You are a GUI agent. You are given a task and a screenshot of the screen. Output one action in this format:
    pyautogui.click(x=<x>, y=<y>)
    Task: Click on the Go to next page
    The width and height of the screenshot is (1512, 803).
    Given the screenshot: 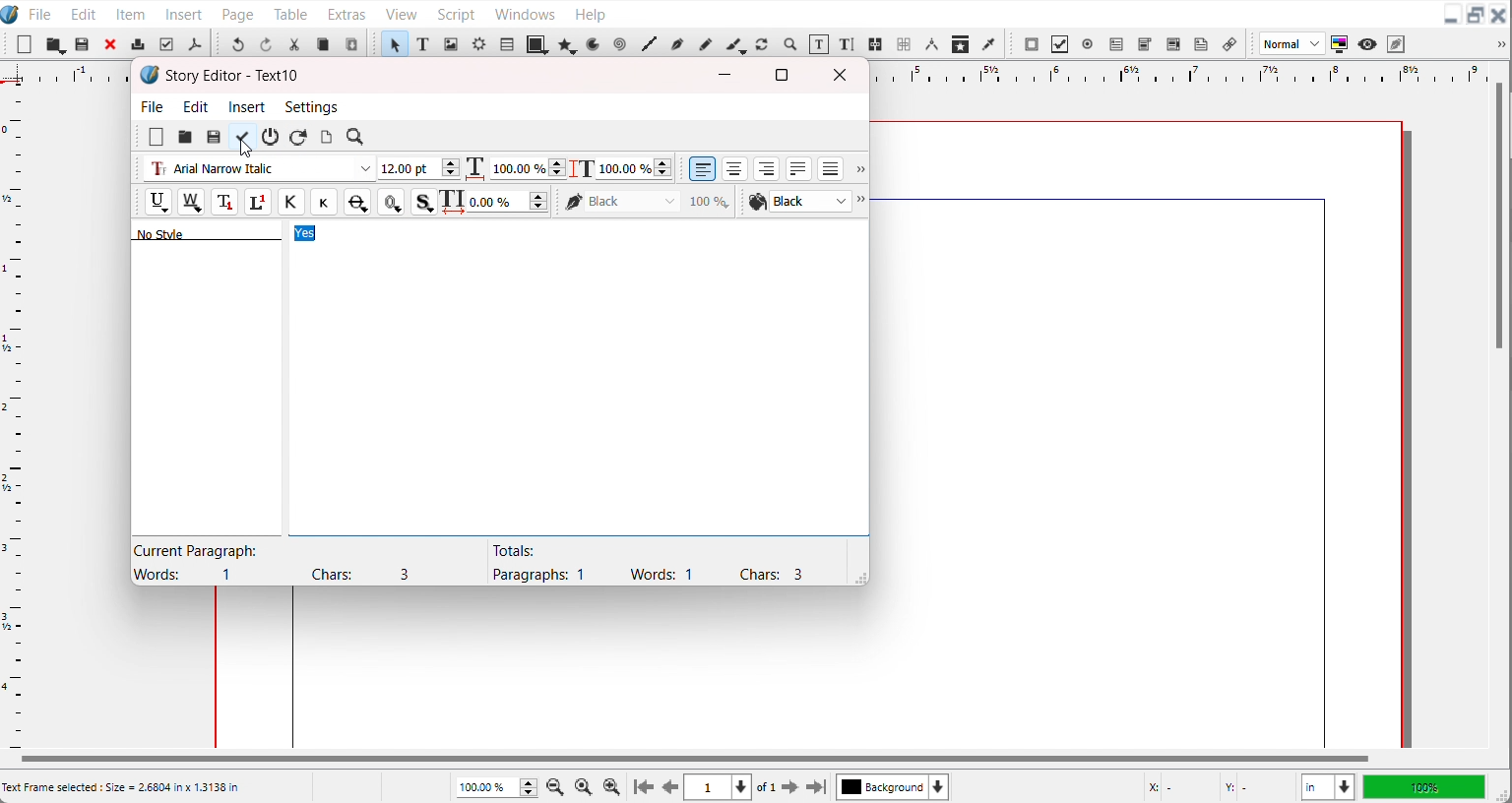 What is the action you would take?
    pyautogui.click(x=779, y=787)
    